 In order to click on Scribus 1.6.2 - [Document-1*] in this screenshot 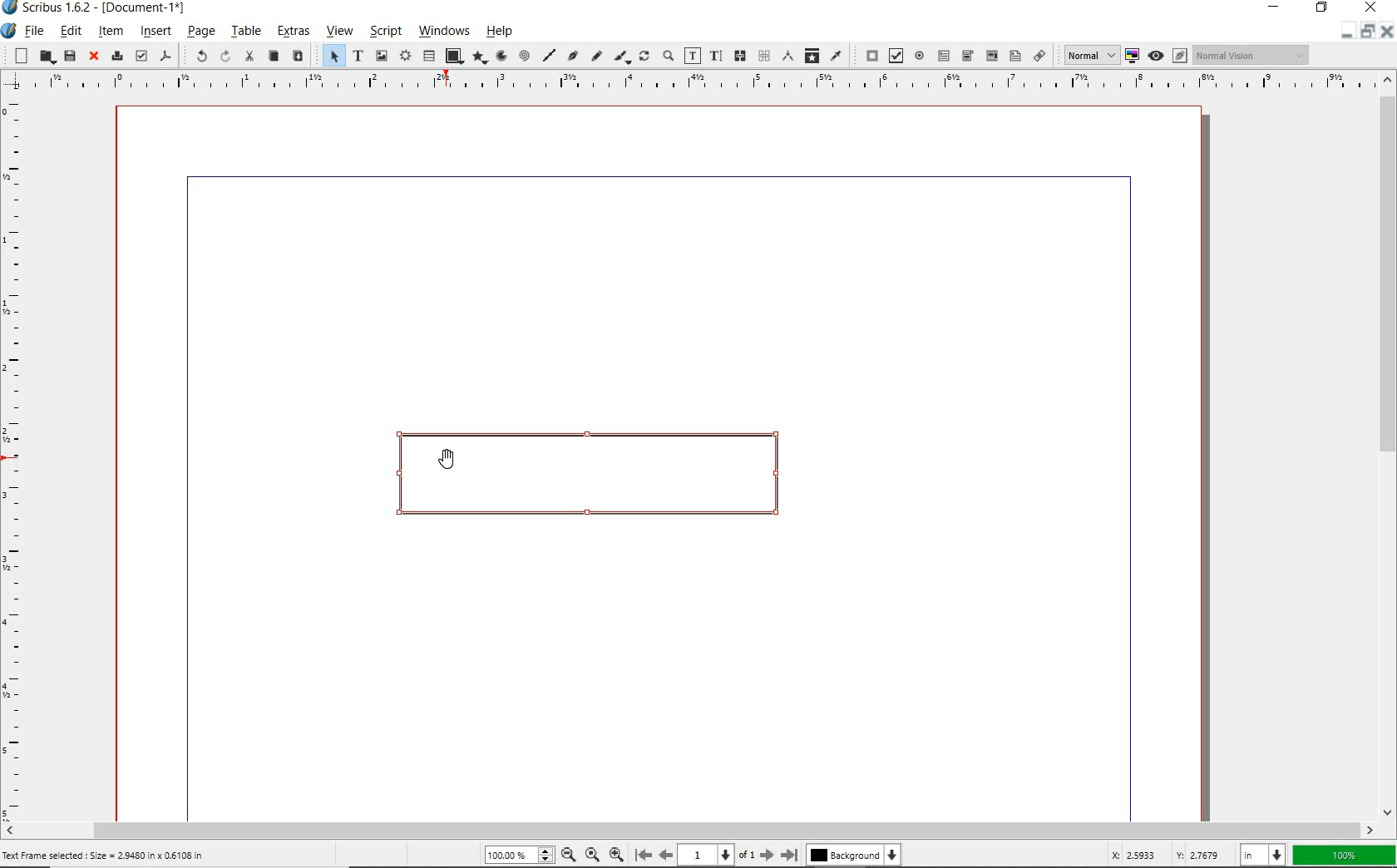, I will do `click(99, 10)`.